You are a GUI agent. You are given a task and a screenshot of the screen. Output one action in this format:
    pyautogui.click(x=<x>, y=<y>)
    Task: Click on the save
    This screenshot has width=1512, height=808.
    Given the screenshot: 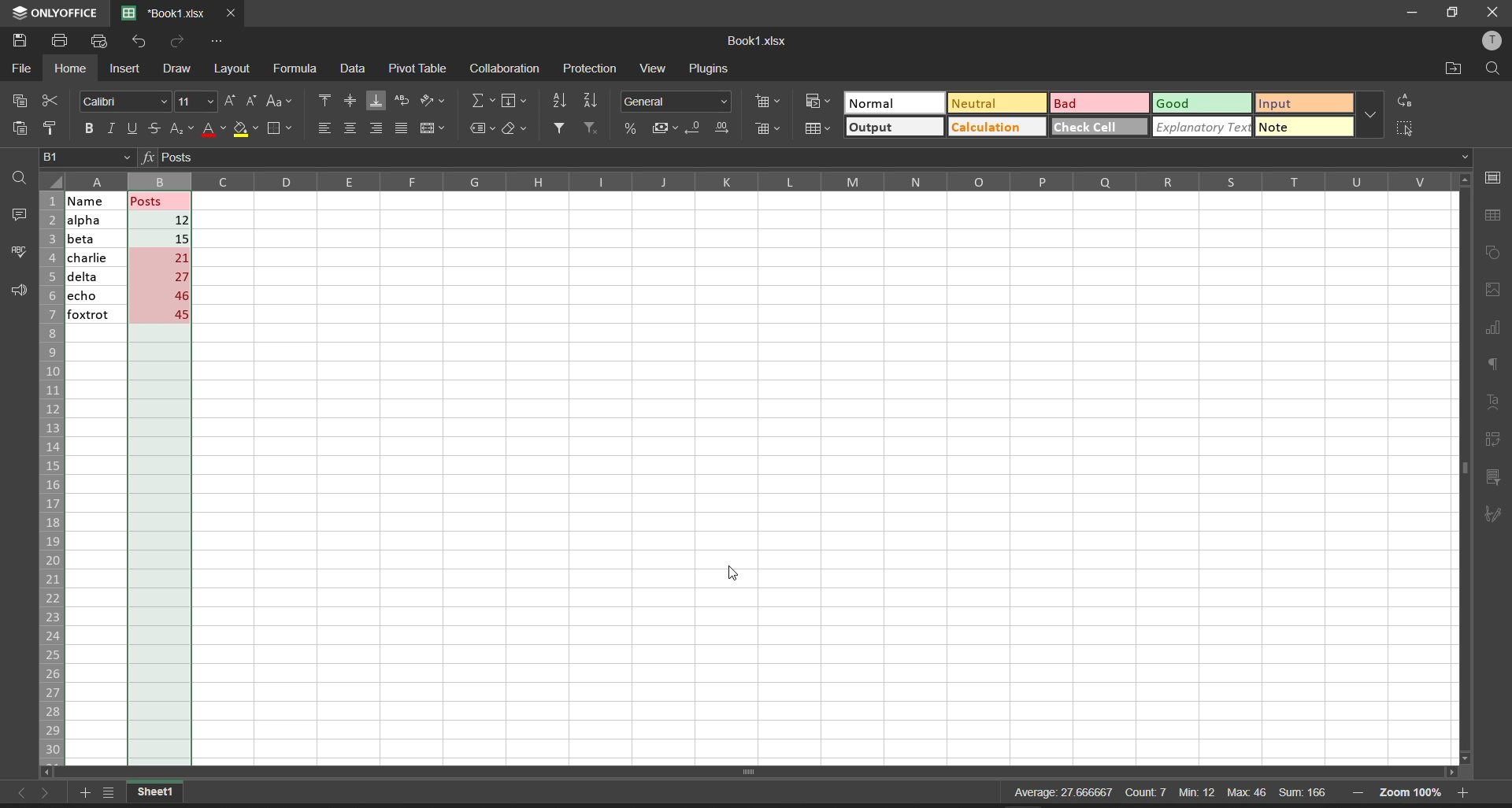 What is the action you would take?
    pyautogui.click(x=22, y=41)
    